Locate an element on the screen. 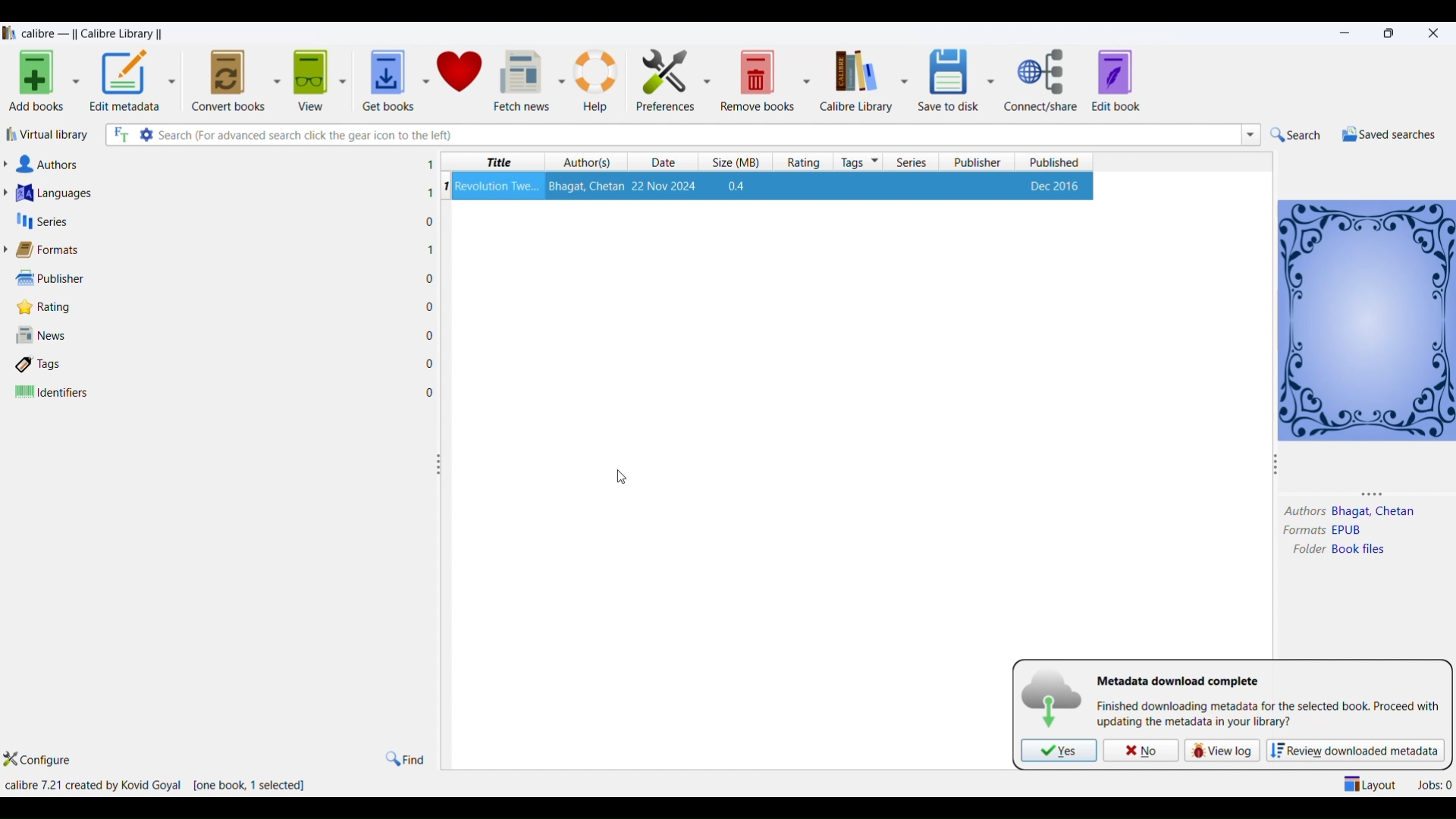 The height and width of the screenshot is (819, 1456). library options dropdown button is located at coordinates (902, 79).